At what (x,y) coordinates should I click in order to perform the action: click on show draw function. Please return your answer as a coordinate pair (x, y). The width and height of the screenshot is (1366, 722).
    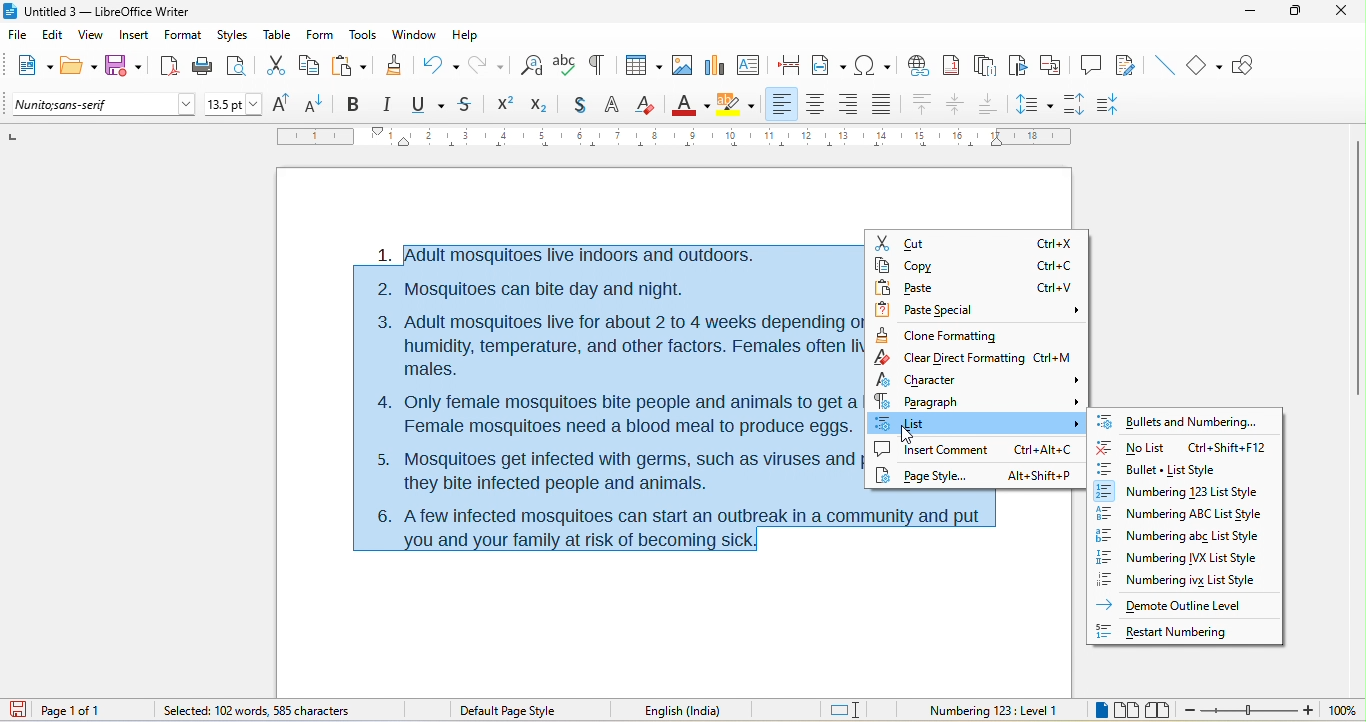
    Looking at the image, I should click on (1249, 67).